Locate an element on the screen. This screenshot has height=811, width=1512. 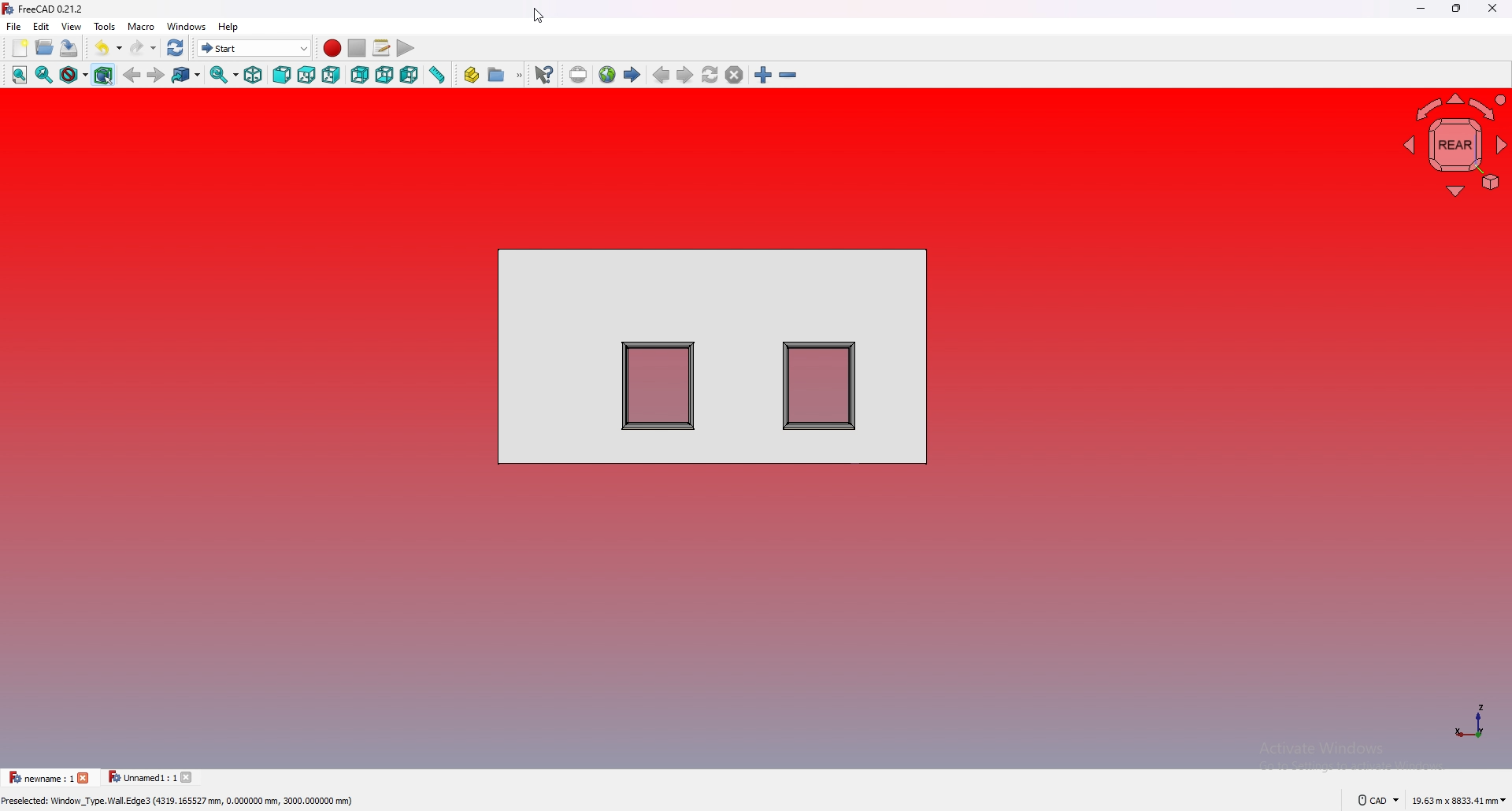
rear is located at coordinates (361, 75).